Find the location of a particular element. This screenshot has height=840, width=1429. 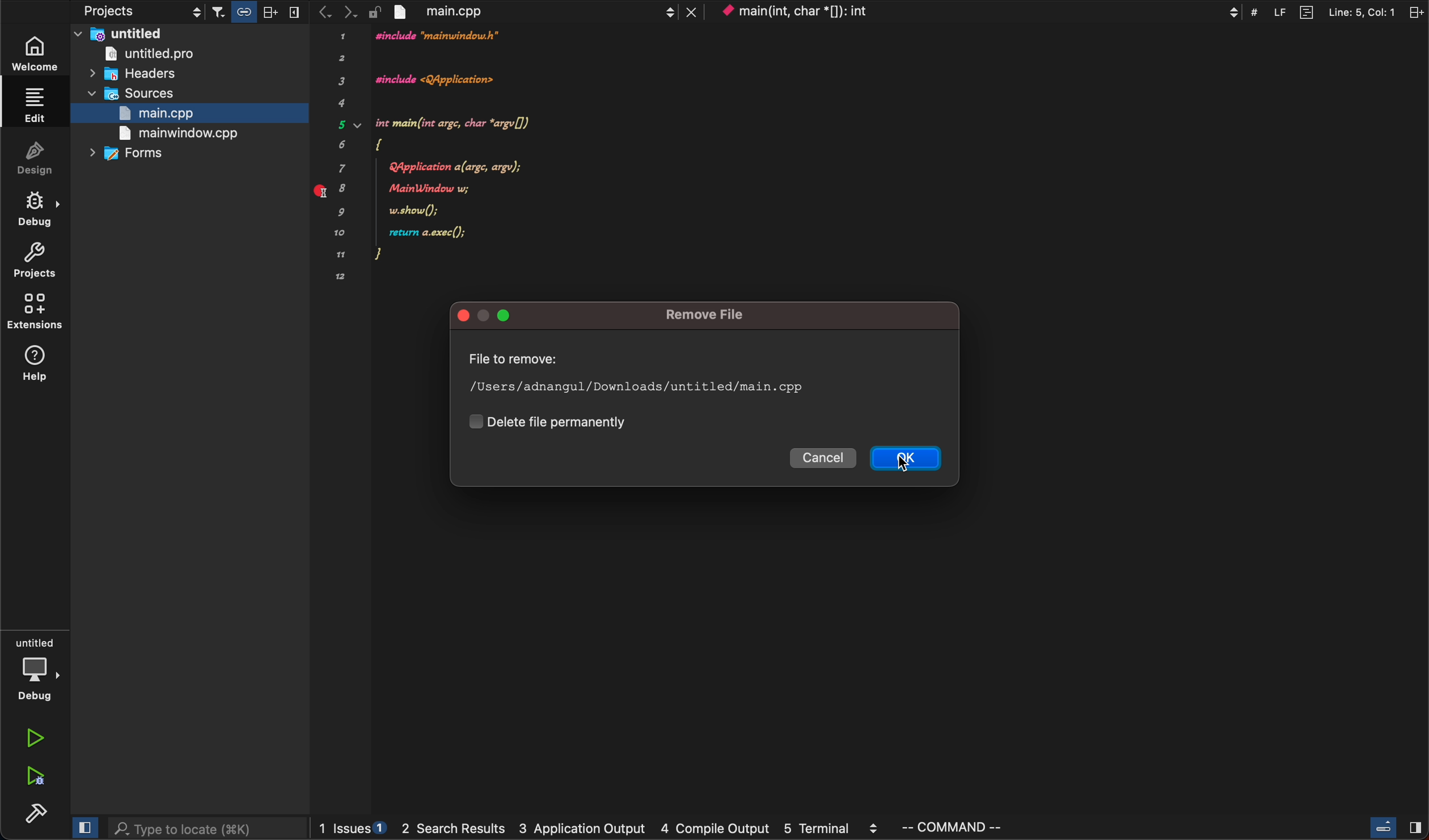

file tab is located at coordinates (536, 12).